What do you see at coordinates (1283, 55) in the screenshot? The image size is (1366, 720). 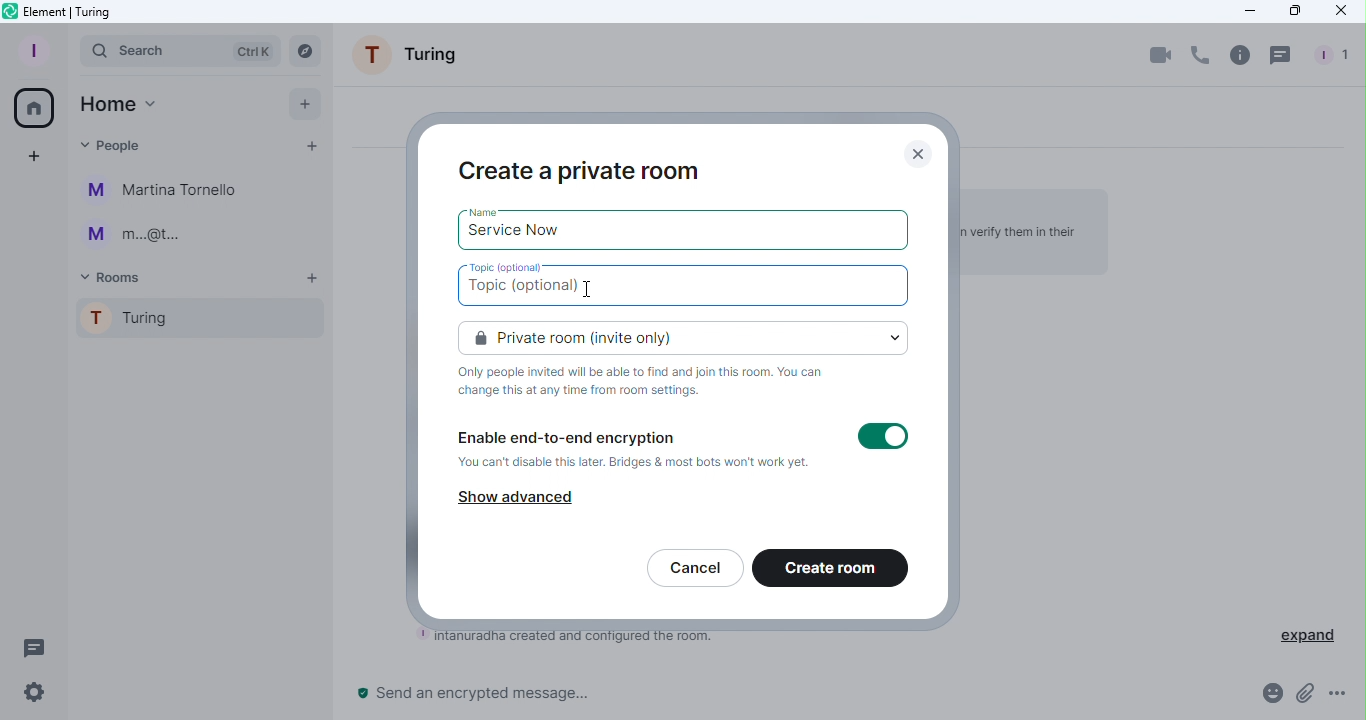 I see `Threads` at bounding box center [1283, 55].